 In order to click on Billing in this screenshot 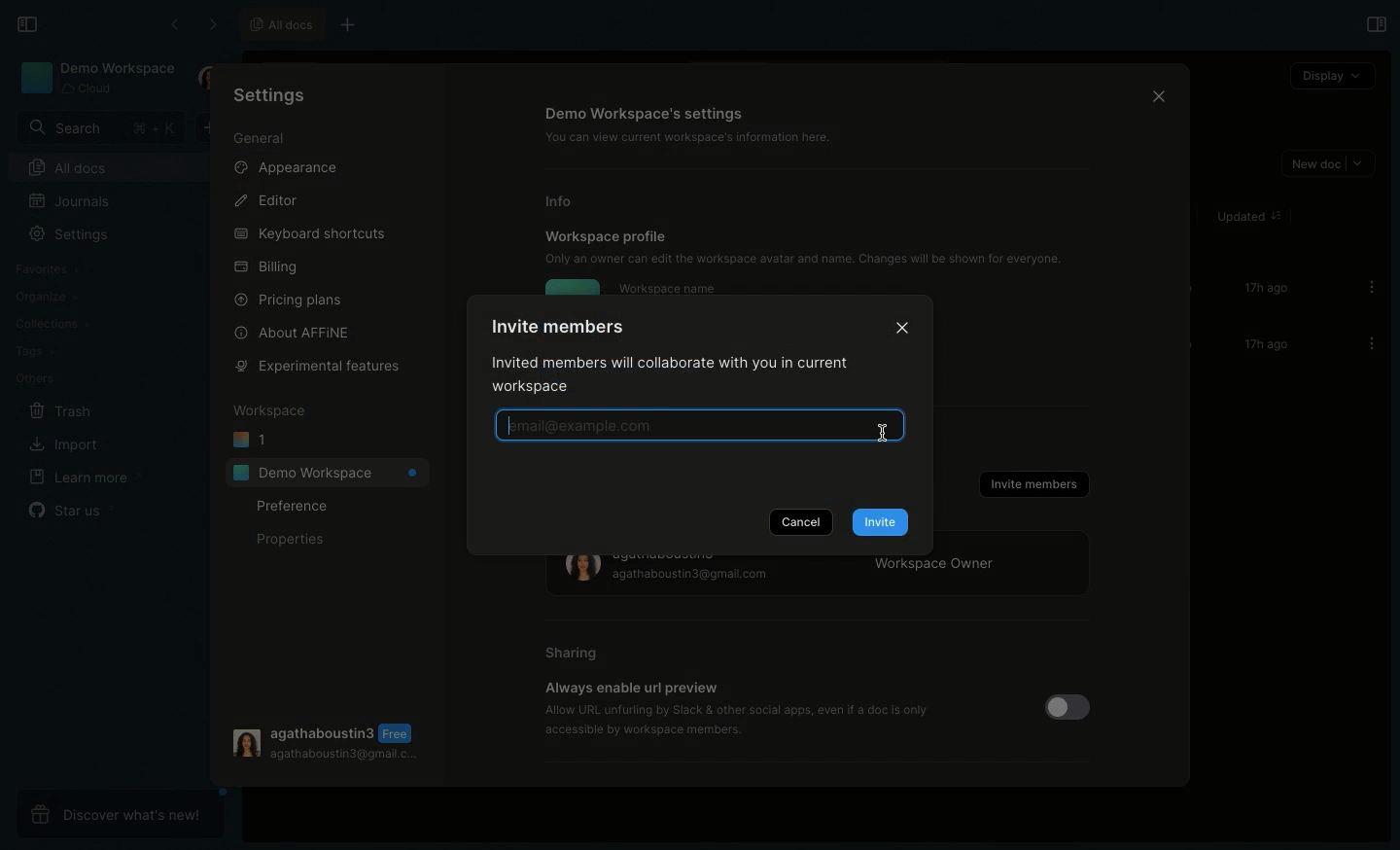, I will do `click(264, 267)`.